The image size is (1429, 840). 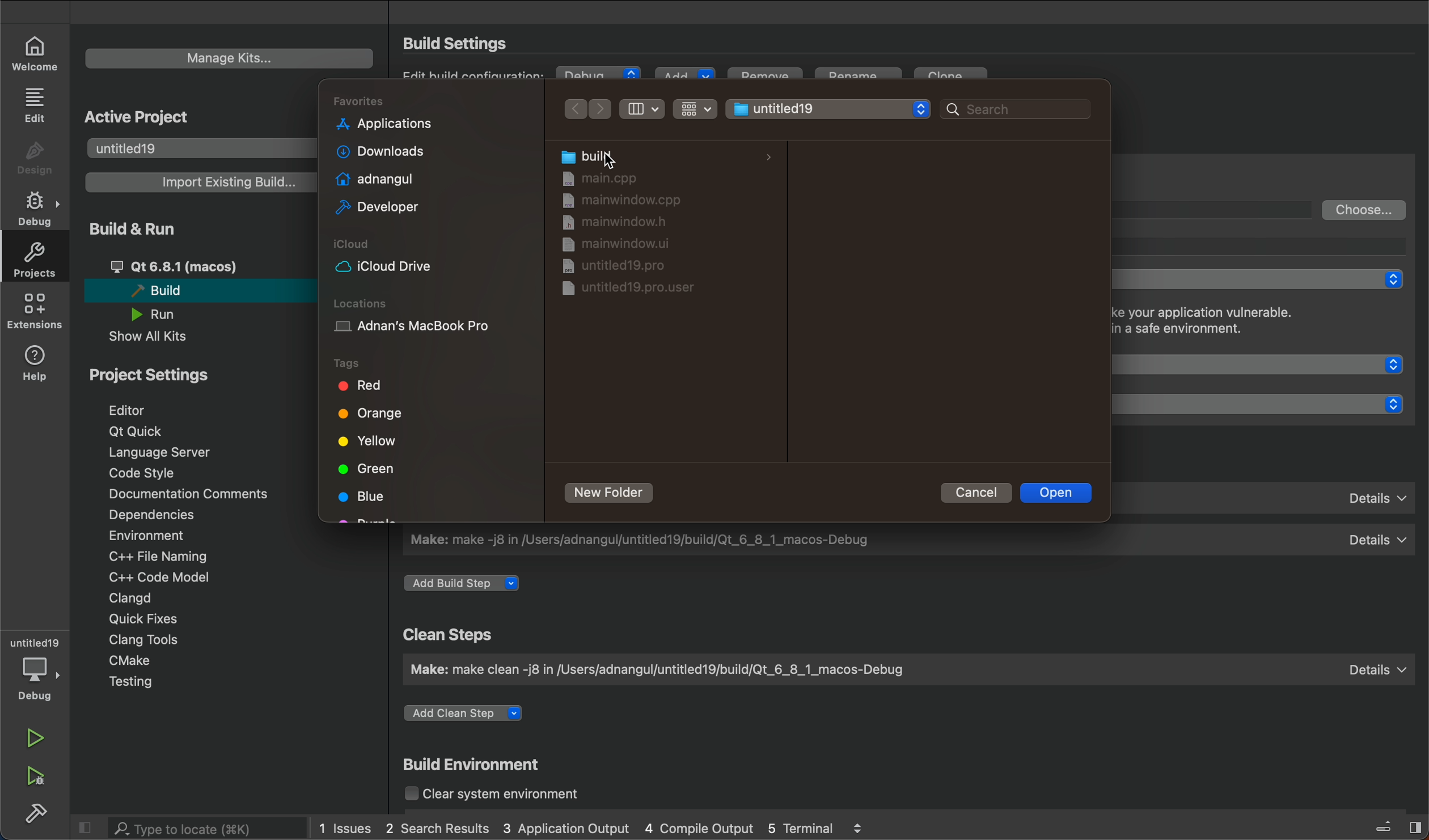 What do you see at coordinates (39, 209) in the screenshot?
I see `debug` at bounding box center [39, 209].